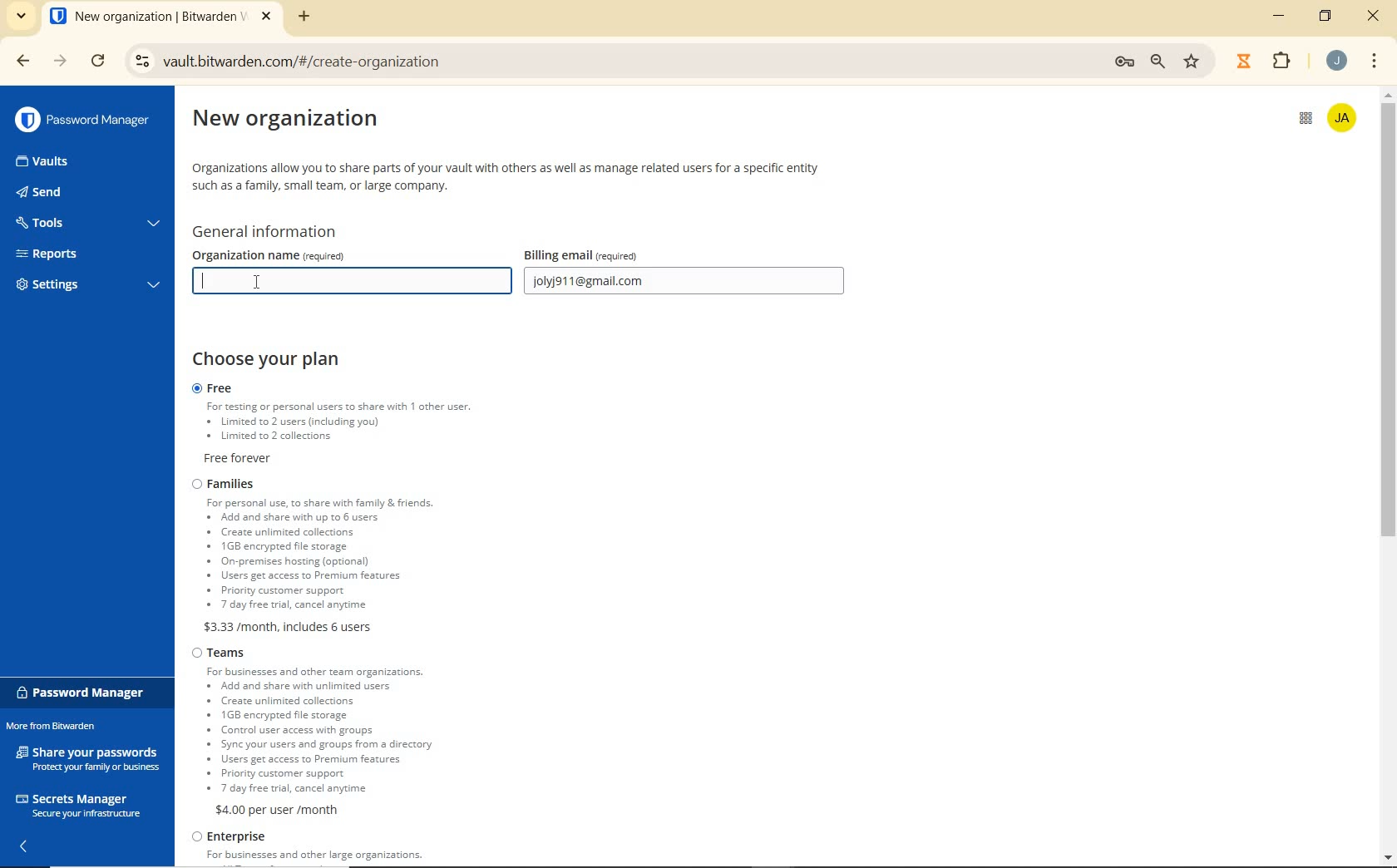 The height and width of the screenshot is (868, 1397). Describe the element at coordinates (605, 62) in the screenshot. I see `address bar` at that location.